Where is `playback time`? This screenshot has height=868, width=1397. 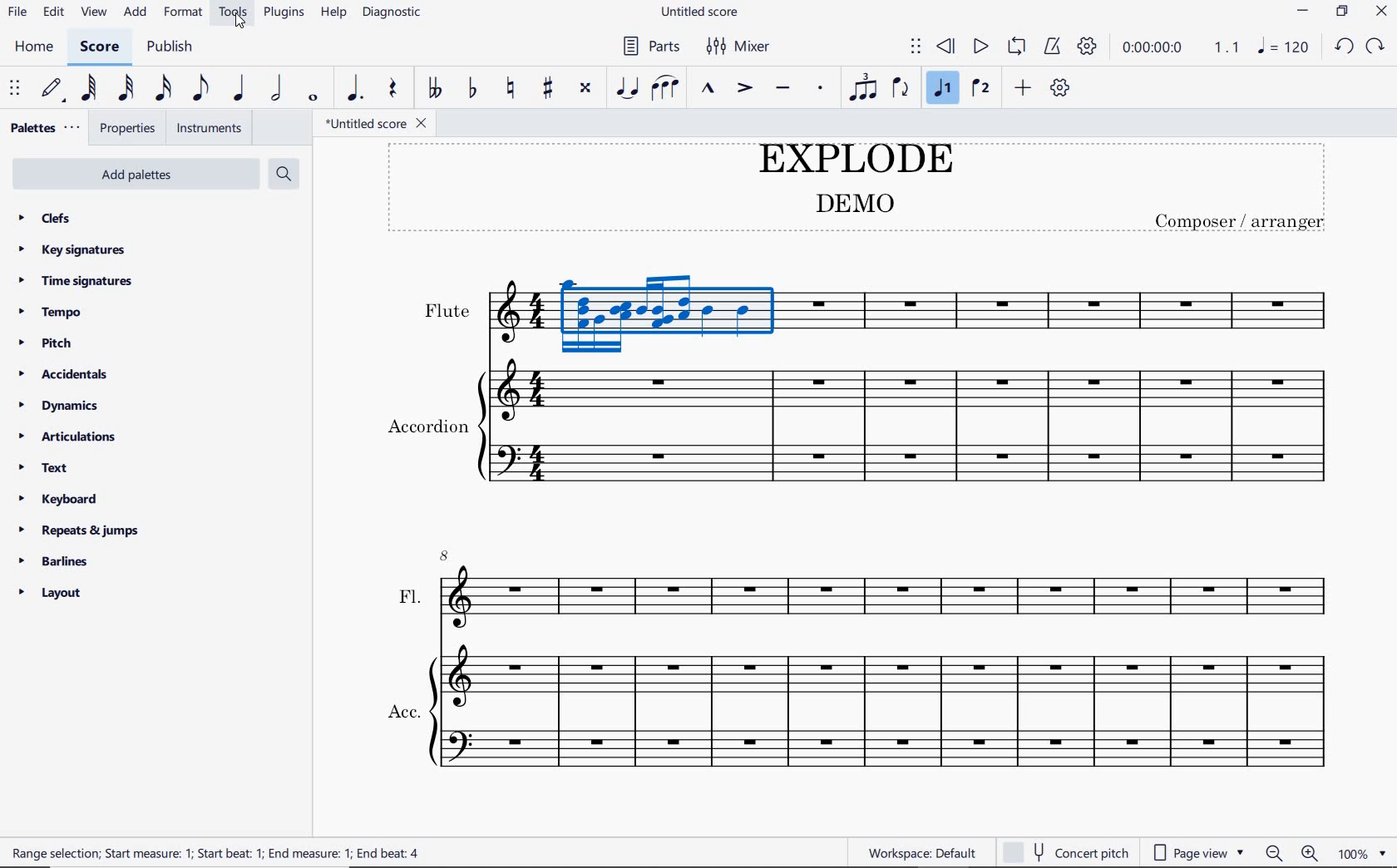
playback time is located at coordinates (1153, 48).